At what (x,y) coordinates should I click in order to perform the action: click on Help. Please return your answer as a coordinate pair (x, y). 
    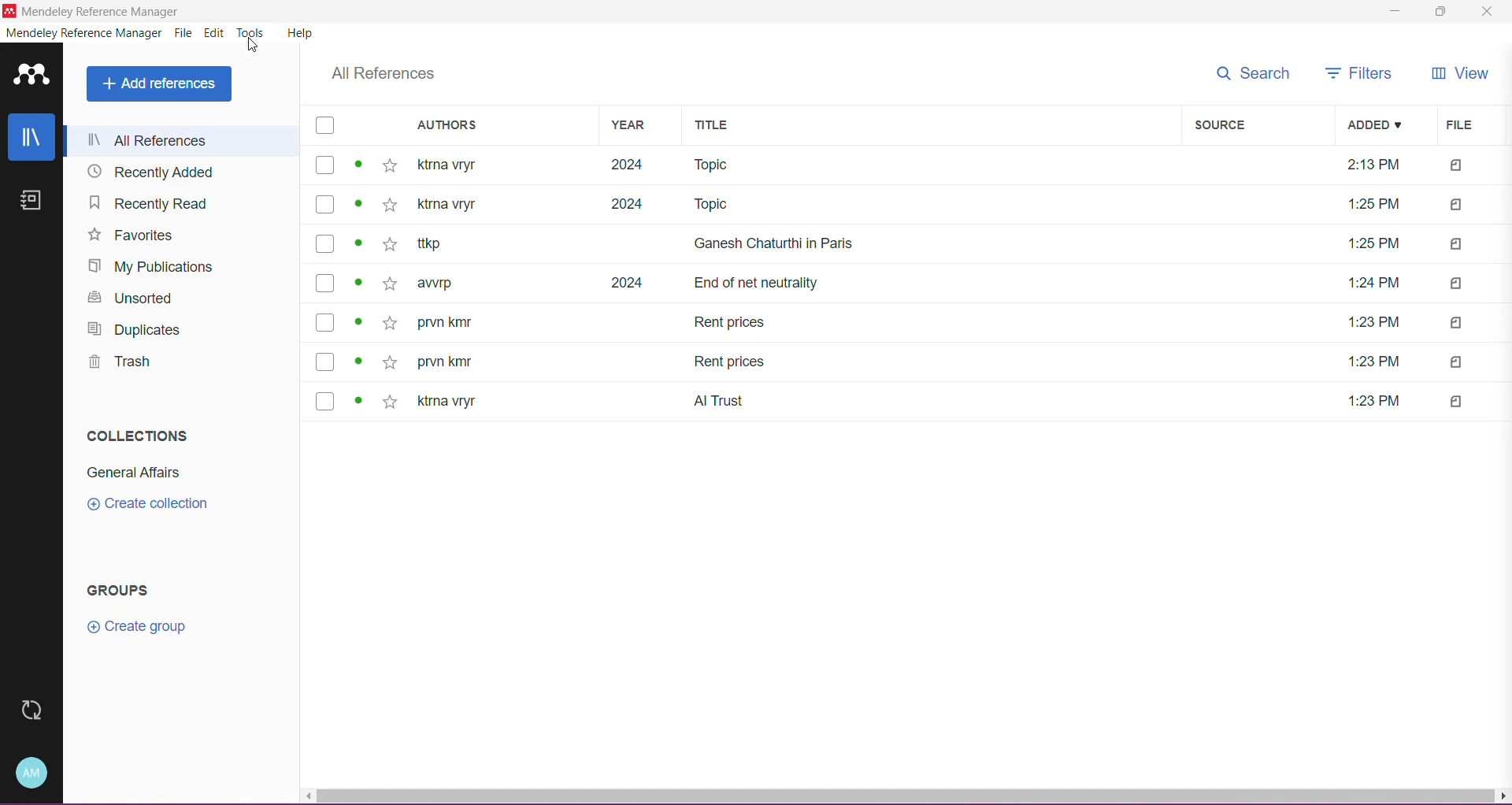
    Looking at the image, I should click on (302, 35).